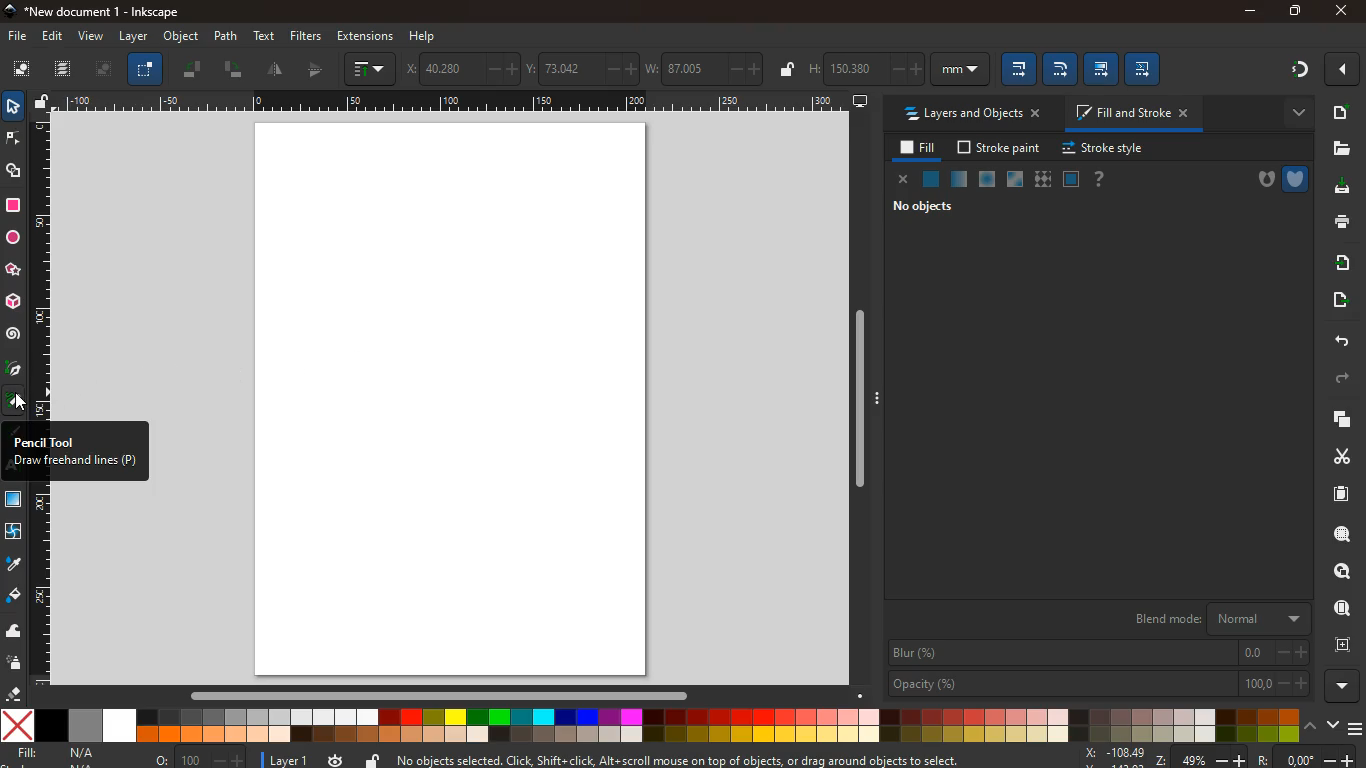  What do you see at coordinates (336, 760) in the screenshot?
I see `time` at bounding box center [336, 760].